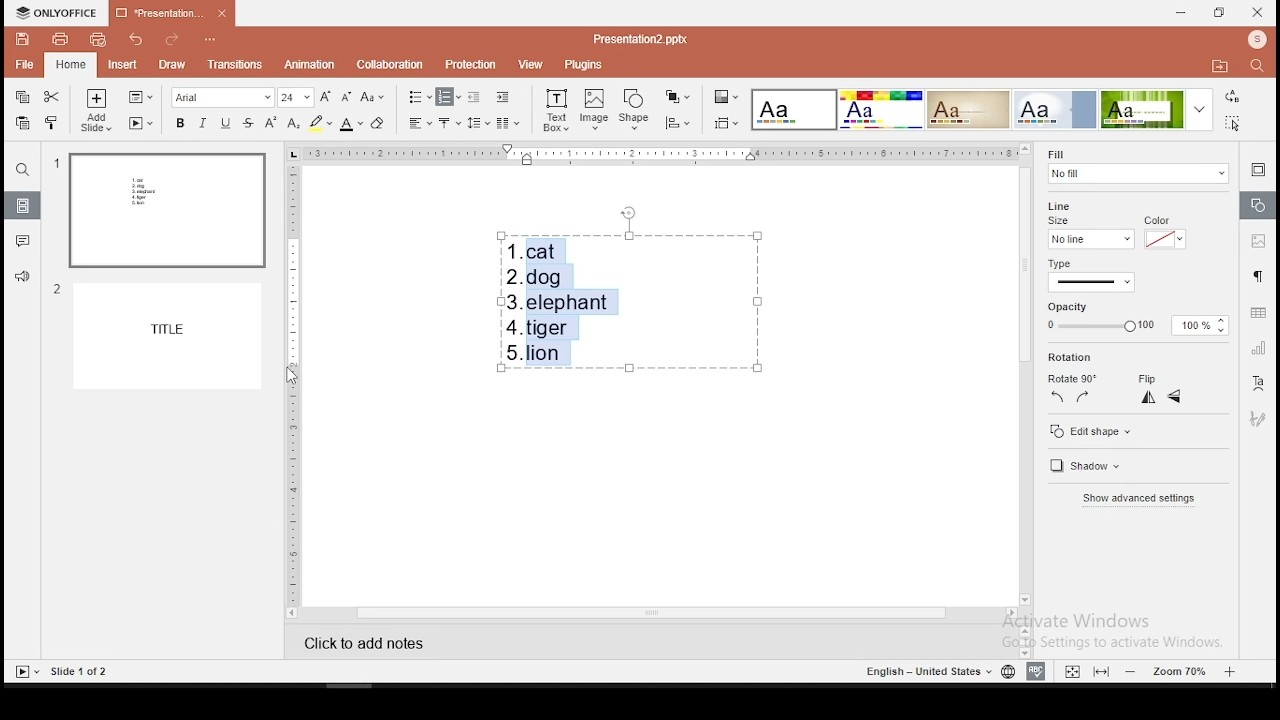  Describe the element at coordinates (389, 63) in the screenshot. I see `collaboration` at that location.